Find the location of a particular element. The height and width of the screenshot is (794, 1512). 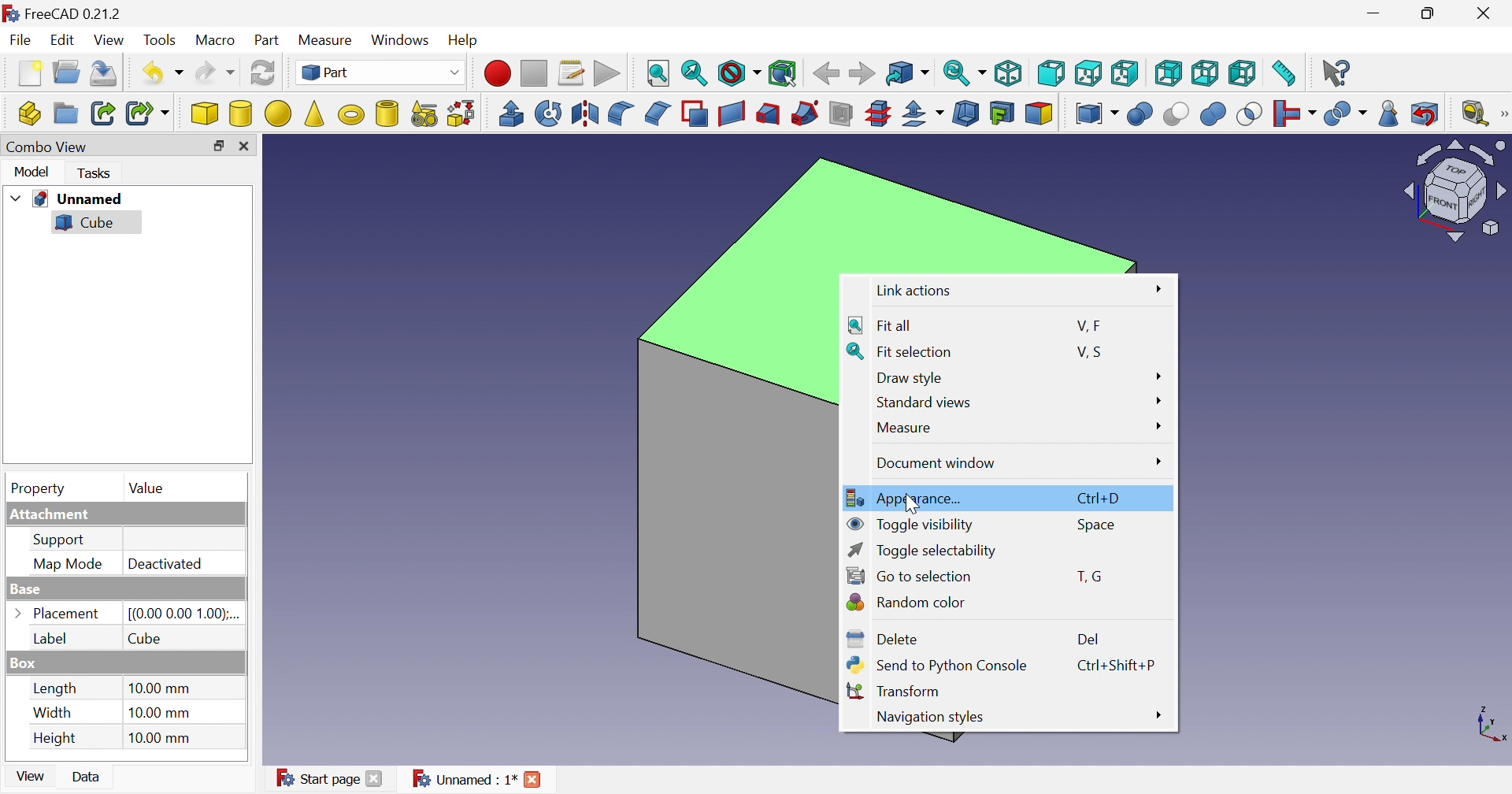

Back is located at coordinates (827, 74).